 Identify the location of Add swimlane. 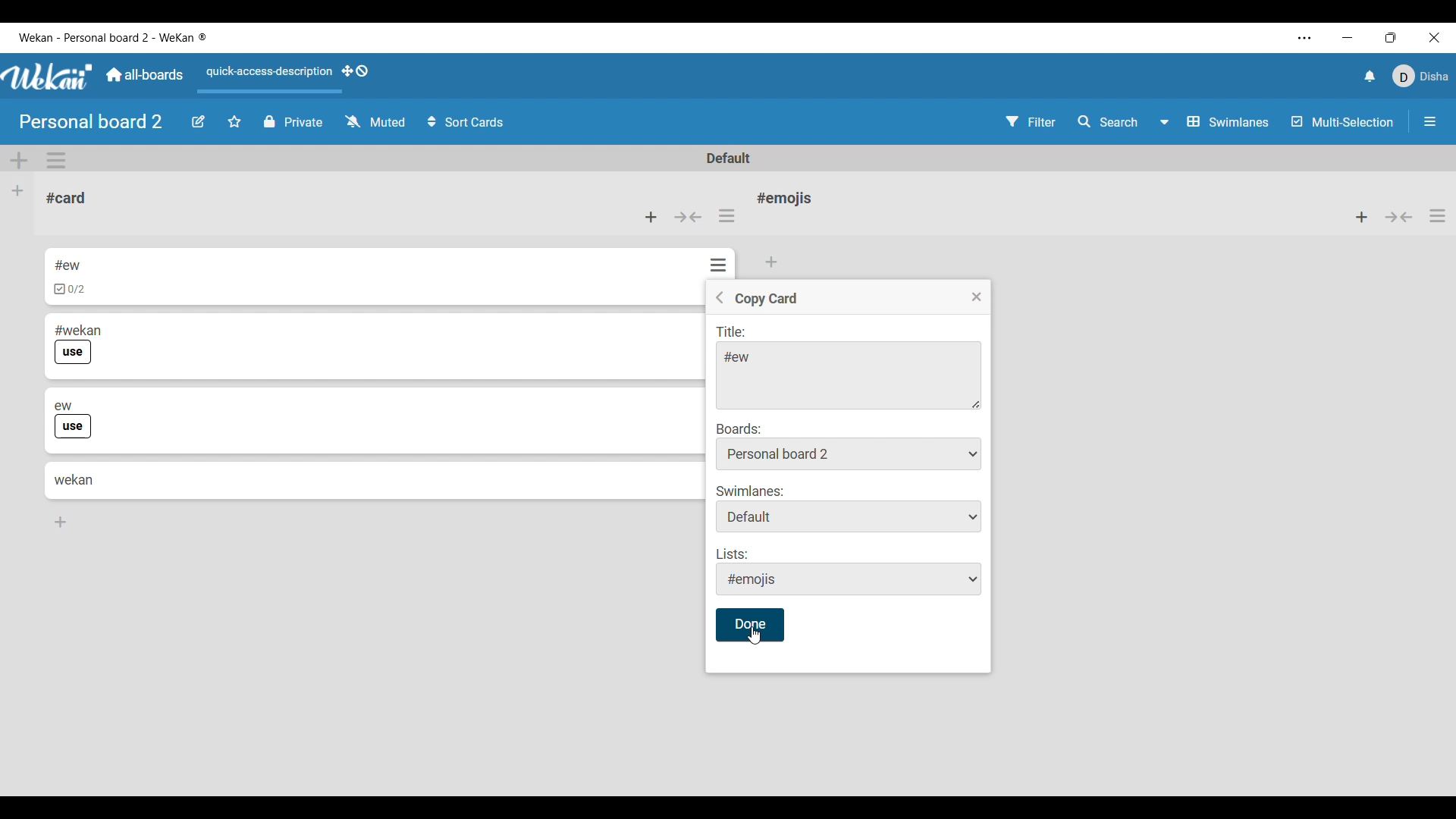
(20, 161).